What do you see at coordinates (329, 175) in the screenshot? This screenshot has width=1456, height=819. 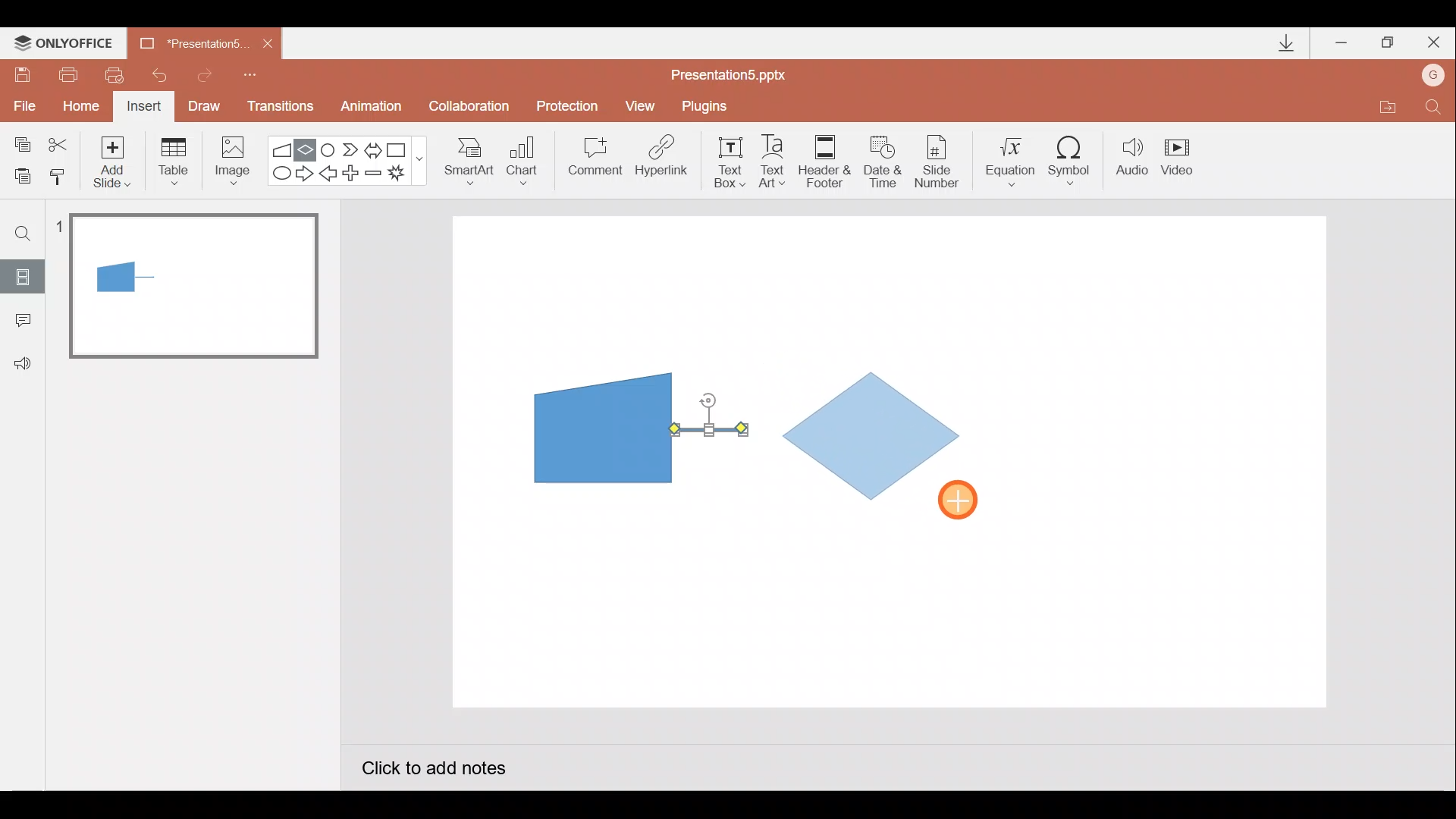 I see `Left arrow` at bounding box center [329, 175].